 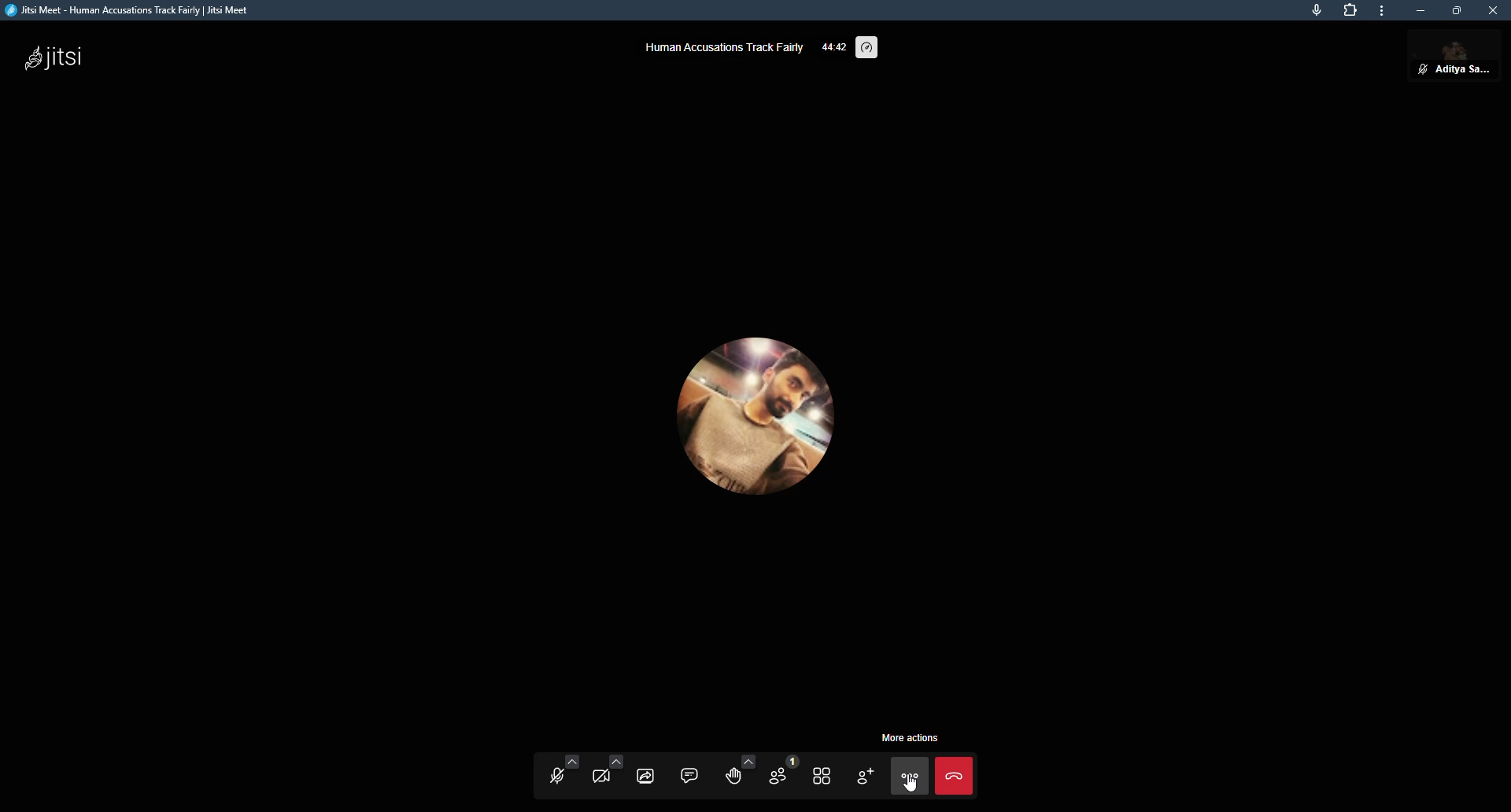 What do you see at coordinates (723, 46) in the screenshot?
I see `human accusations track fairly` at bounding box center [723, 46].